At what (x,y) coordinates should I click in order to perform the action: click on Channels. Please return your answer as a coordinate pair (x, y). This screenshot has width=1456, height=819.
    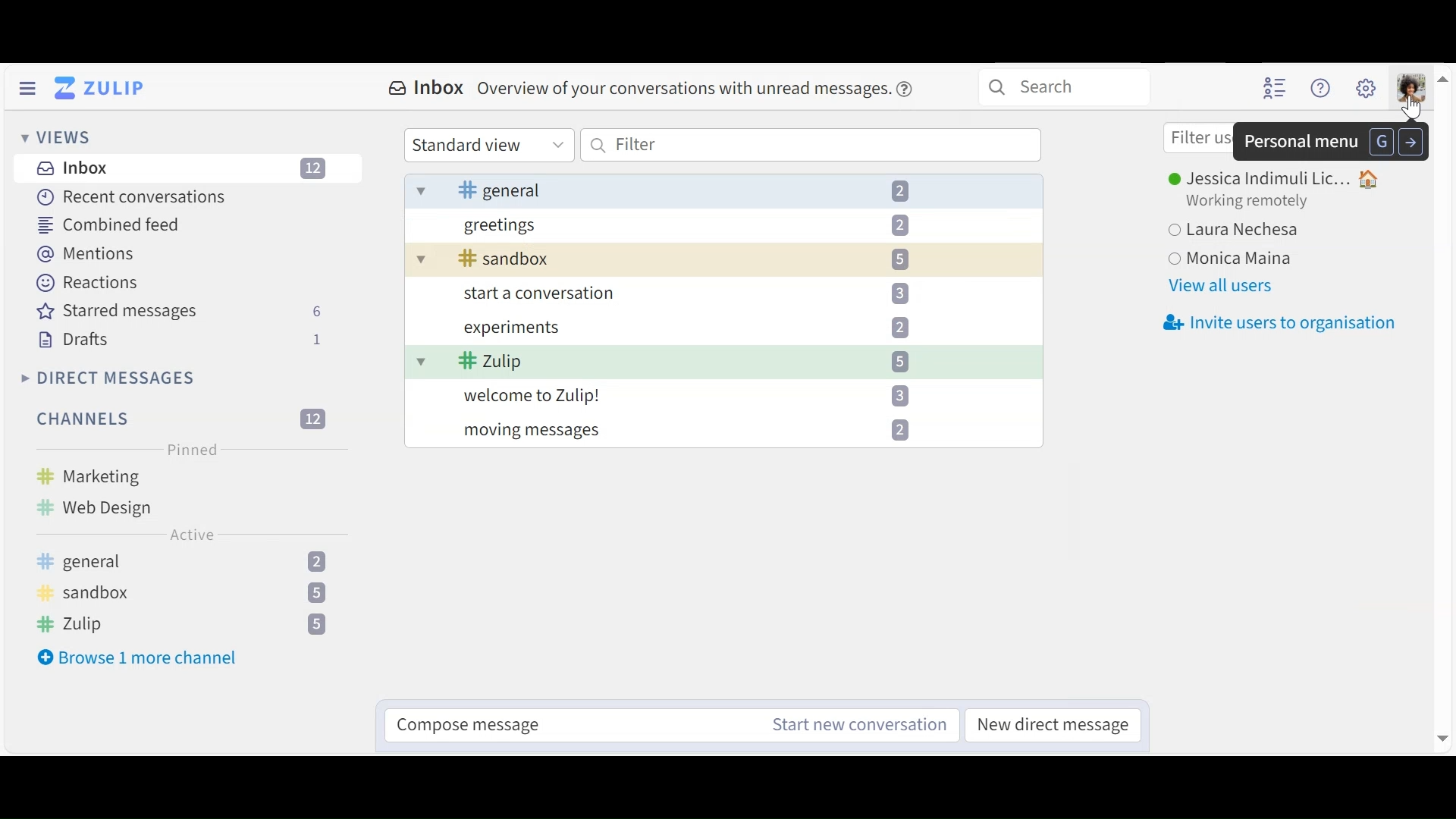
    Looking at the image, I should click on (181, 419).